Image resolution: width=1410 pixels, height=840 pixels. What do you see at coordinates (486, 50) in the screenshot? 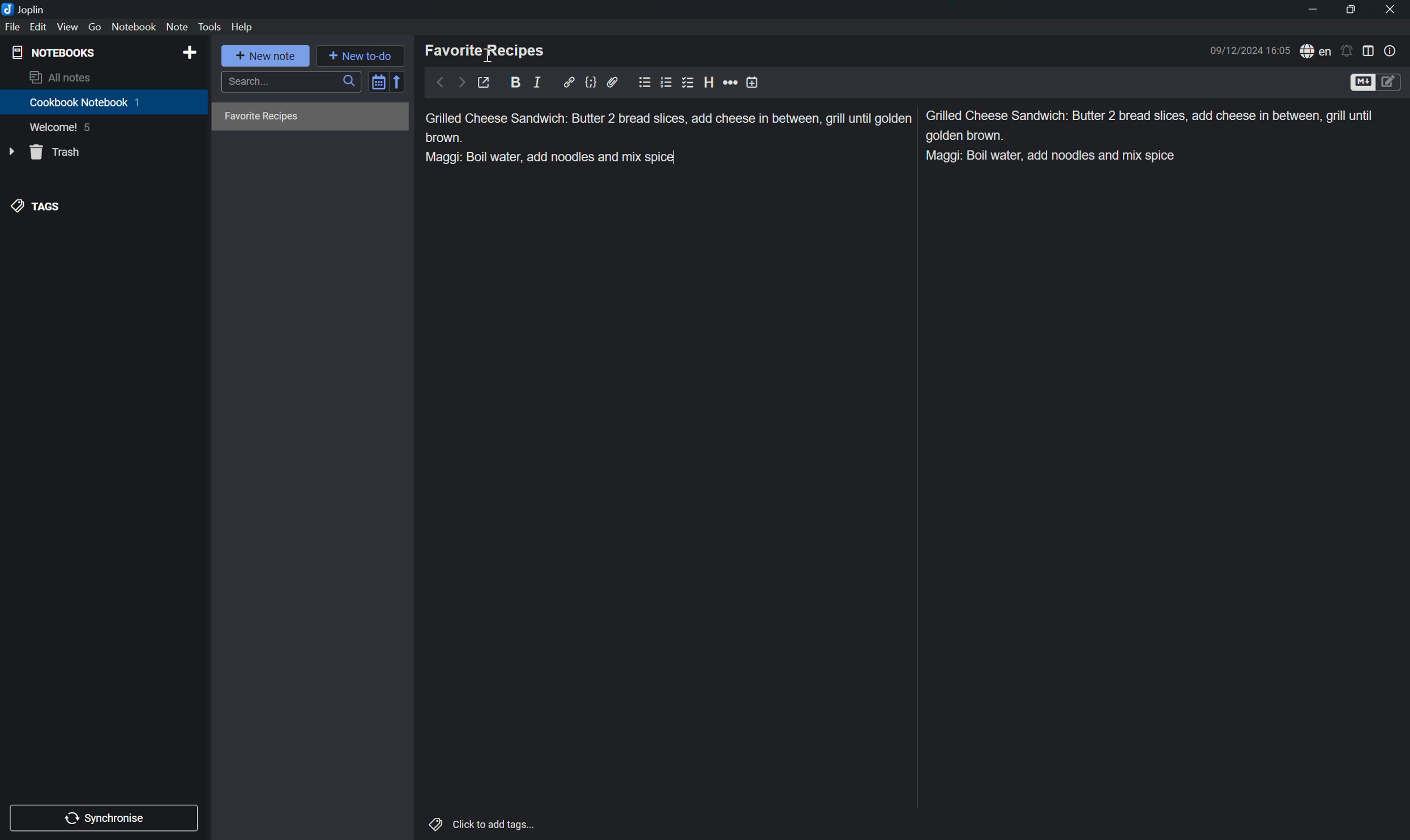
I see `Favorite Recipes` at bounding box center [486, 50].